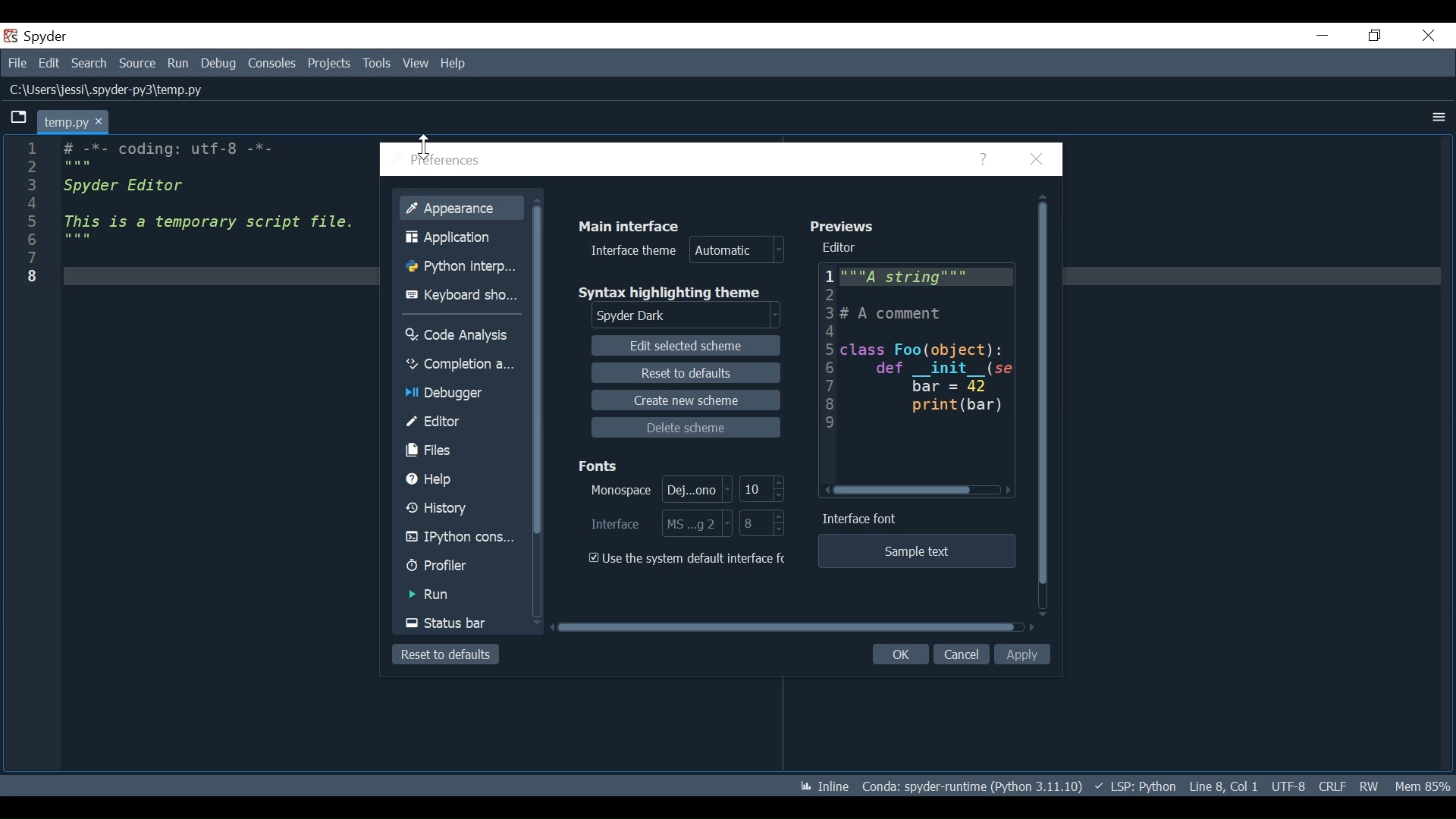 This screenshot has width=1456, height=819. I want to click on Apply, so click(1022, 654).